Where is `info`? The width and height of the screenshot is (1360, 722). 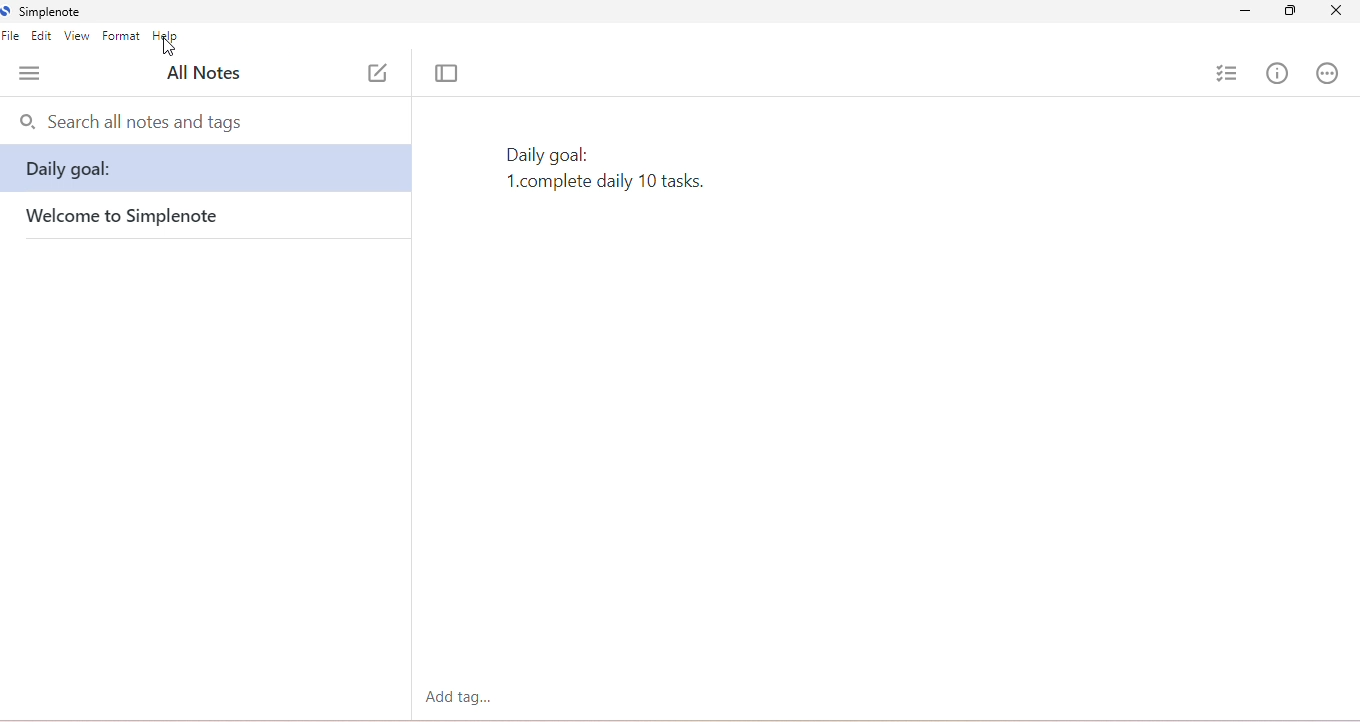
info is located at coordinates (1276, 72).